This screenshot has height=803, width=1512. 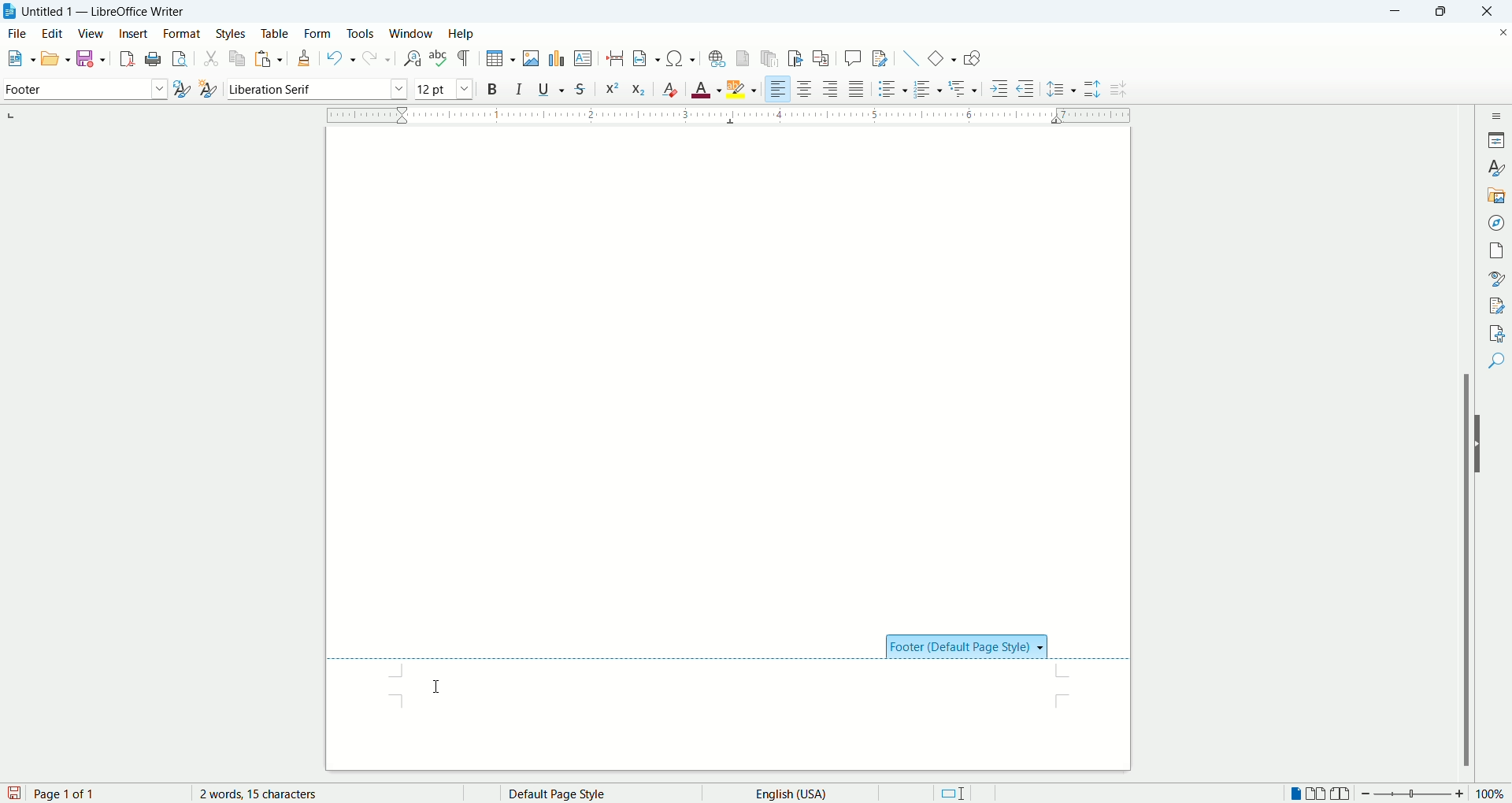 What do you see at coordinates (728, 113) in the screenshot?
I see `ruler` at bounding box center [728, 113].